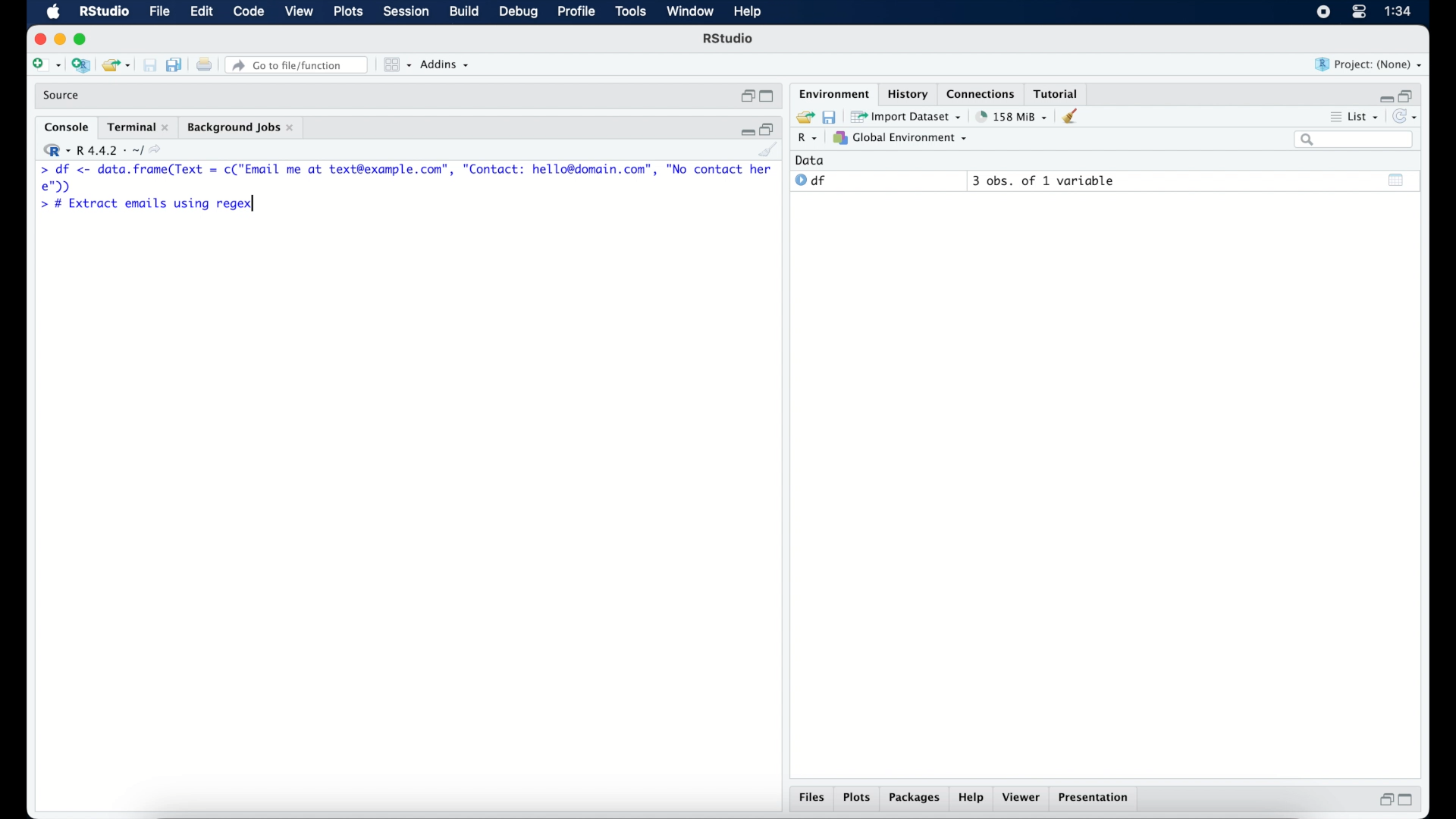 Image resolution: width=1456 pixels, height=819 pixels. Describe the element at coordinates (446, 65) in the screenshot. I see `addins` at that location.